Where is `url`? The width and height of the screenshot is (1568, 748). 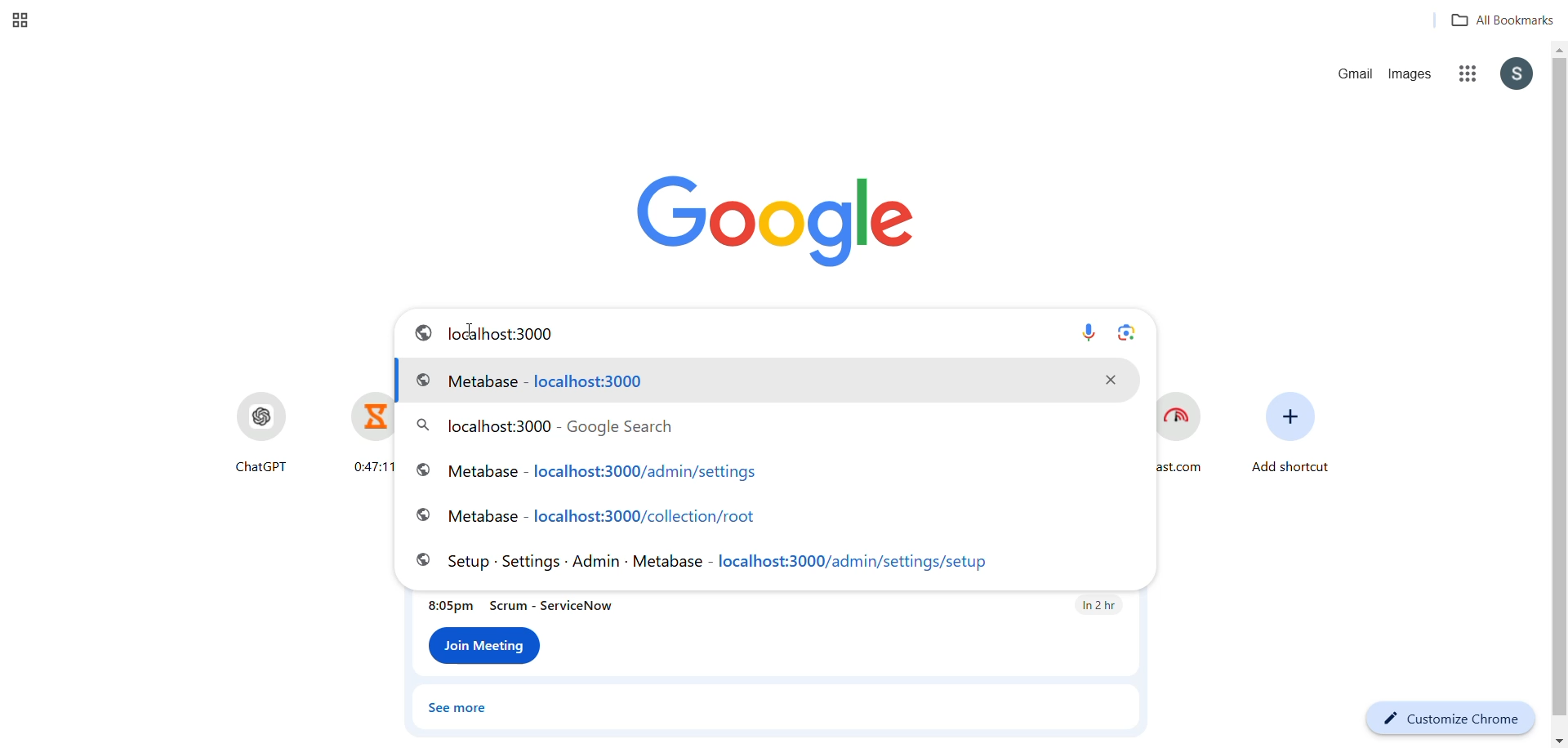
url is located at coordinates (528, 332).